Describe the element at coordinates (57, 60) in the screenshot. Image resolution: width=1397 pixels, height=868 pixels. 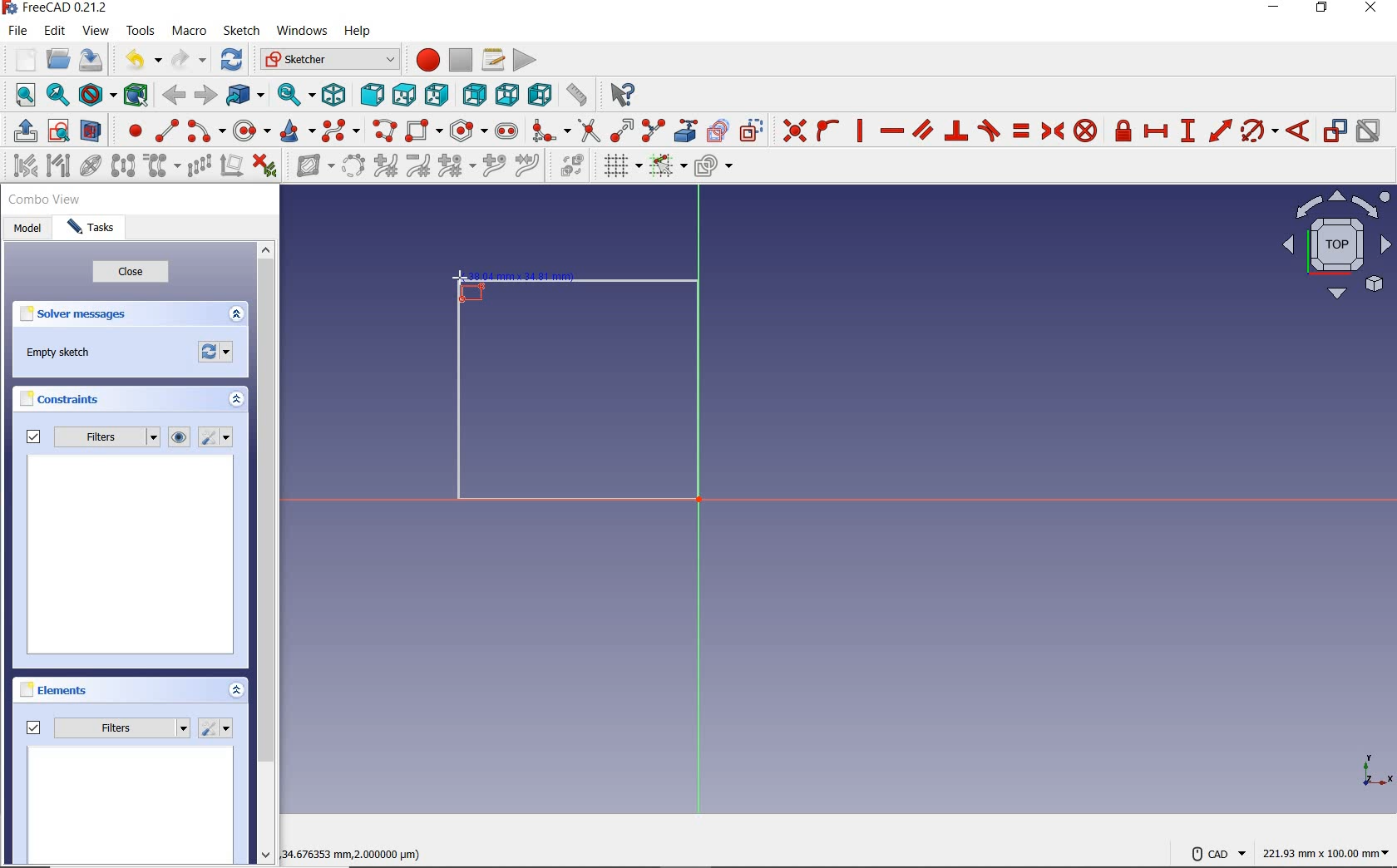
I see `open` at that location.